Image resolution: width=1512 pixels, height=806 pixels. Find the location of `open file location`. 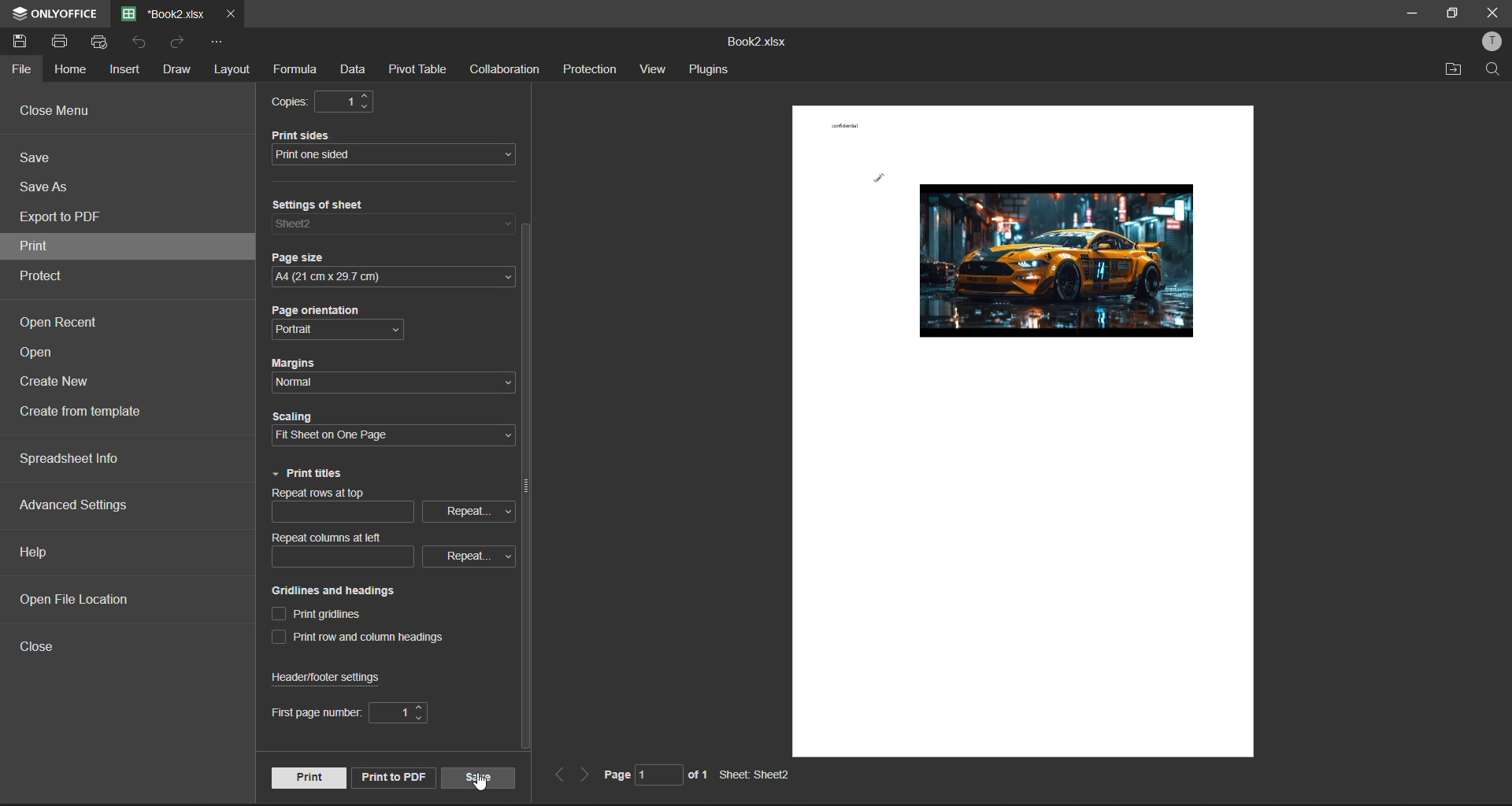

open file location is located at coordinates (76, 599).